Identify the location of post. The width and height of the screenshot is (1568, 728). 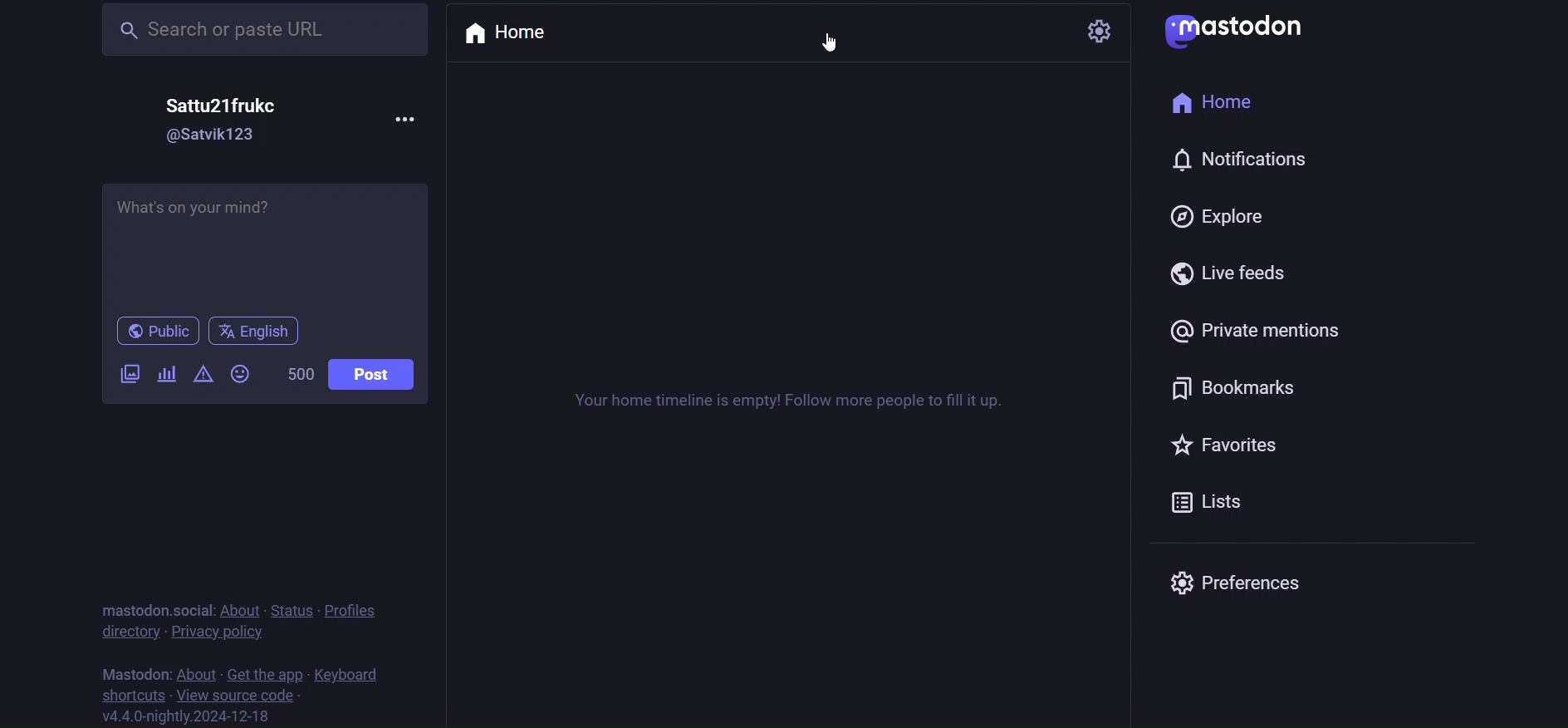
(377, 374).